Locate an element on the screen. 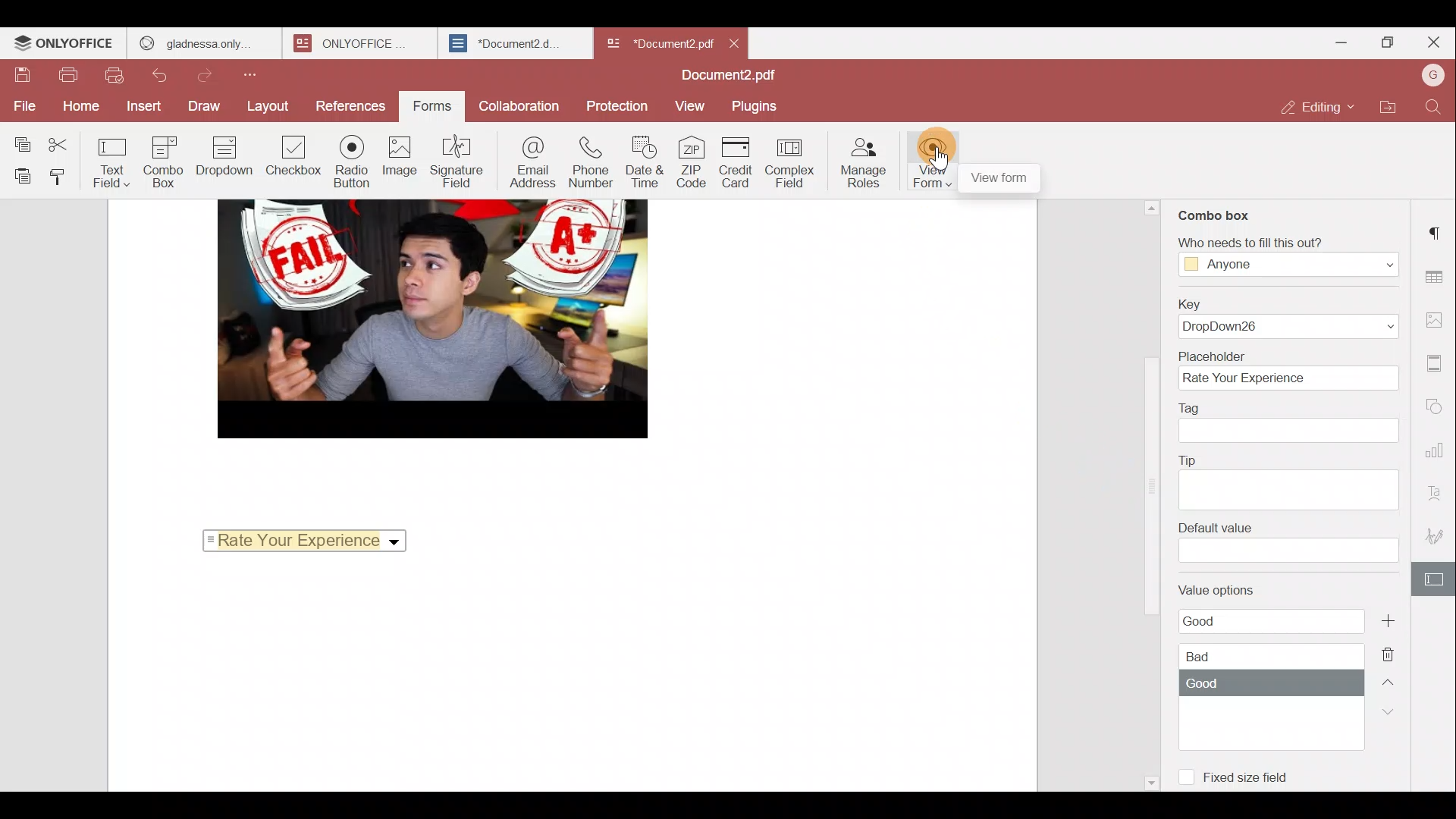 This screenshot has height=819, width=1456. Collaboration is located at coordinates (518, 105).